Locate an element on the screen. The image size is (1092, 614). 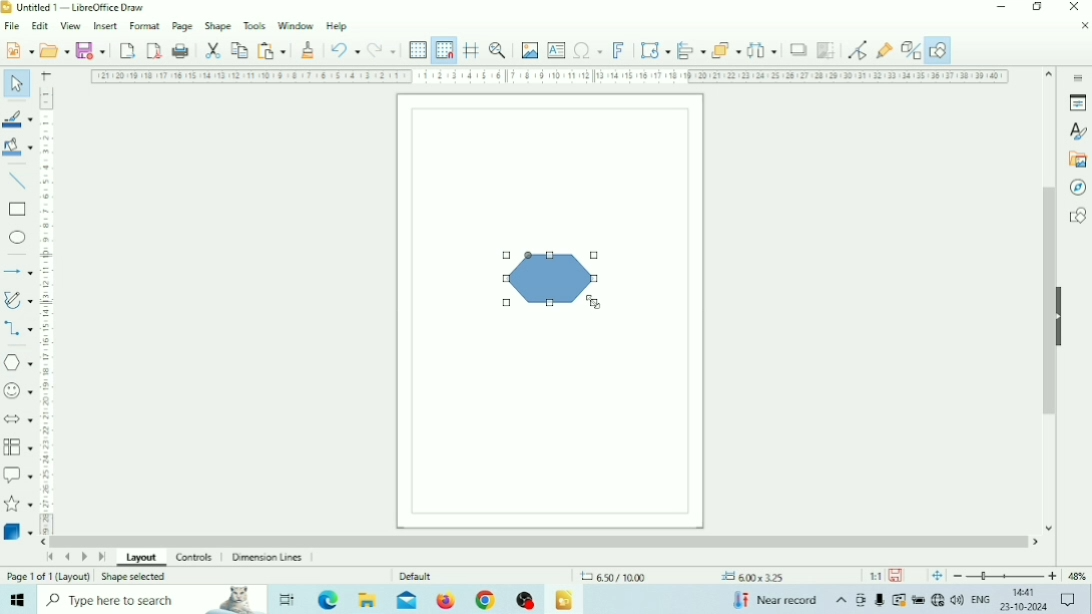
Minimize is located at coordinates (1001, 7).